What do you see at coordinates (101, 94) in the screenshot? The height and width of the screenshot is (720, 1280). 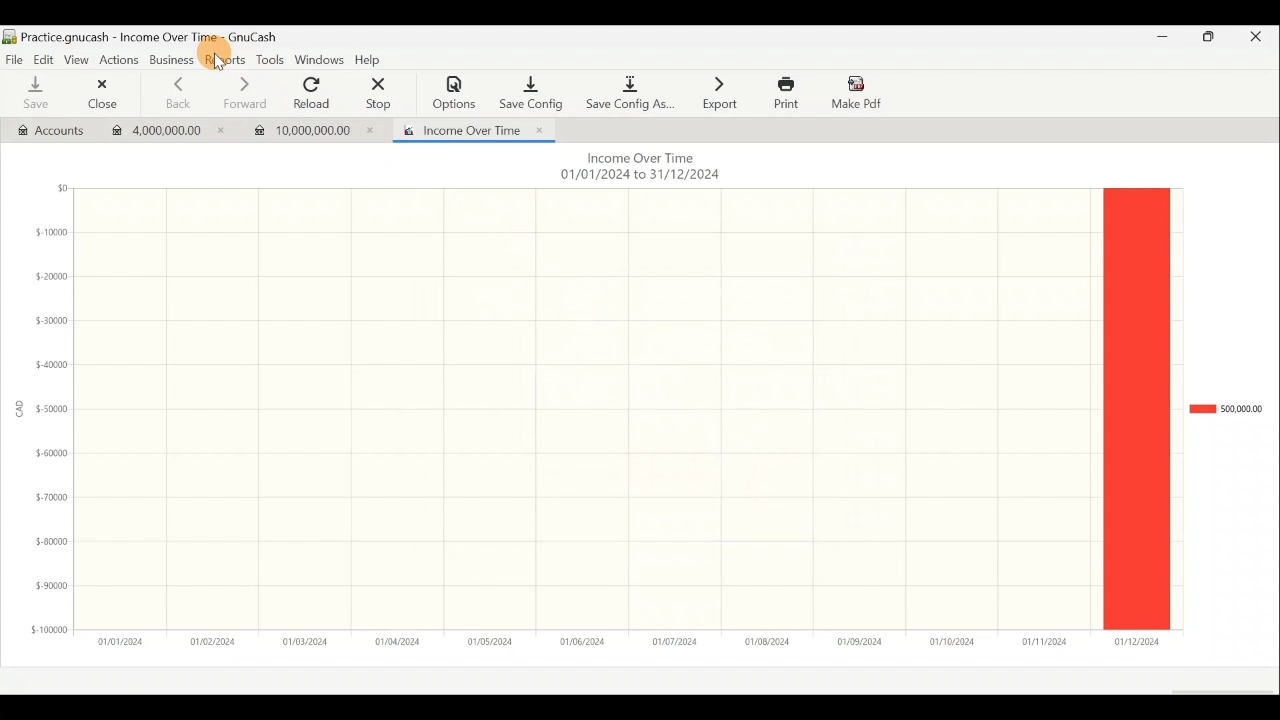 I see `Close` at bounding box center [101, 94].